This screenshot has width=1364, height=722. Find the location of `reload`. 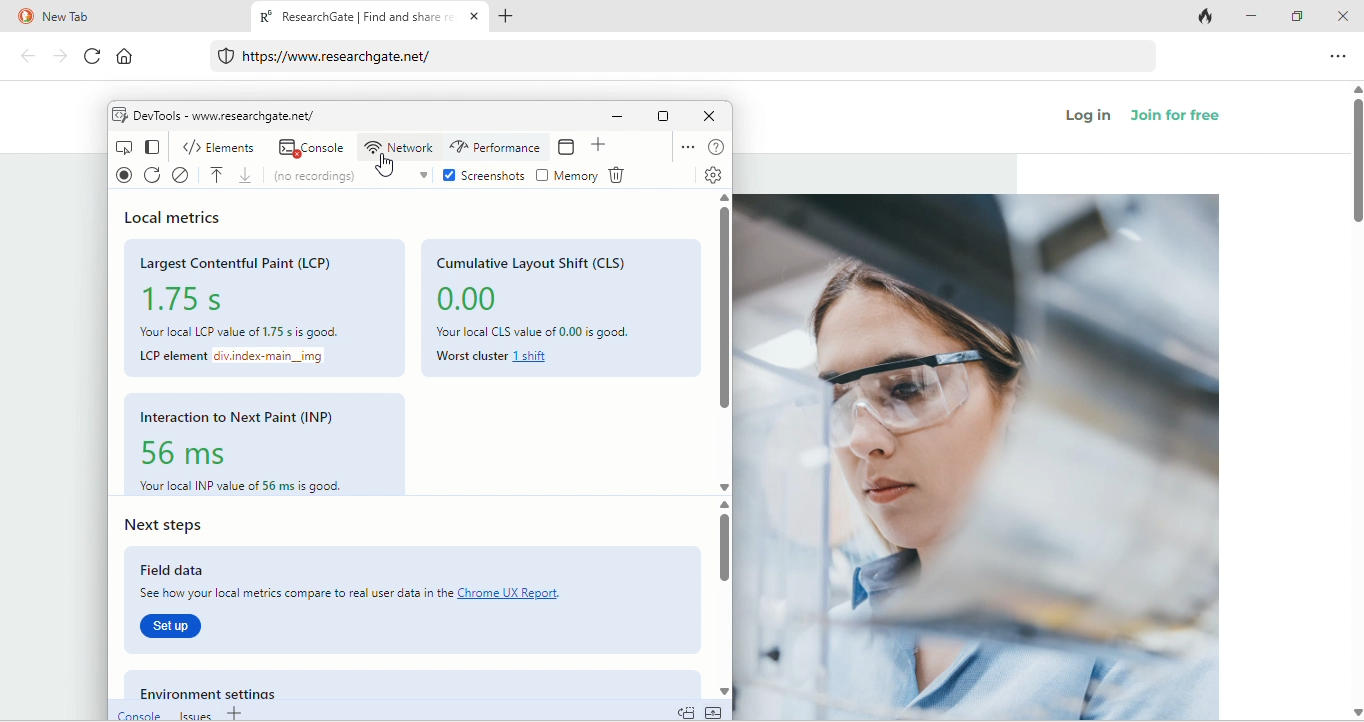

reload is located at coordinates (88, 57).